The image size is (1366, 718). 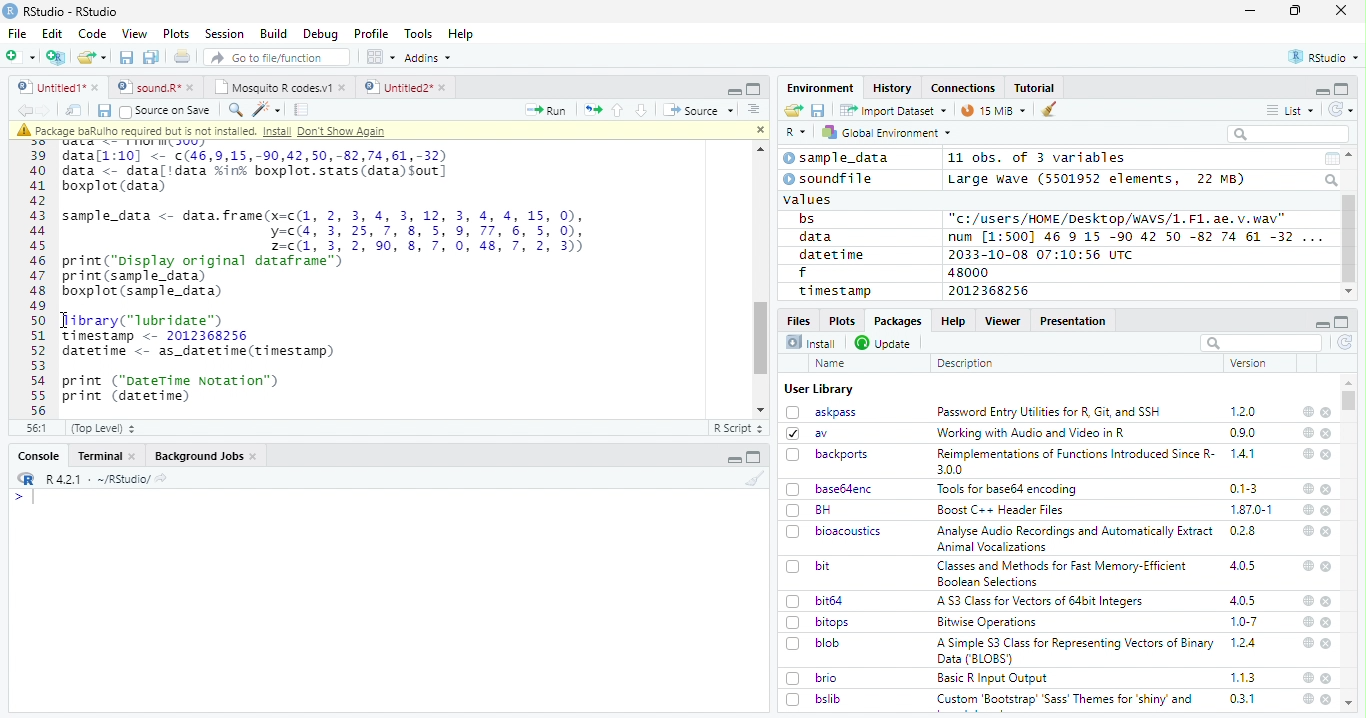 What do you see at coordinates (1049, 412) in the screenshot?
I see `Password Entry Utilities for R, Git, and SSH` at bounding box center [1049, 412].